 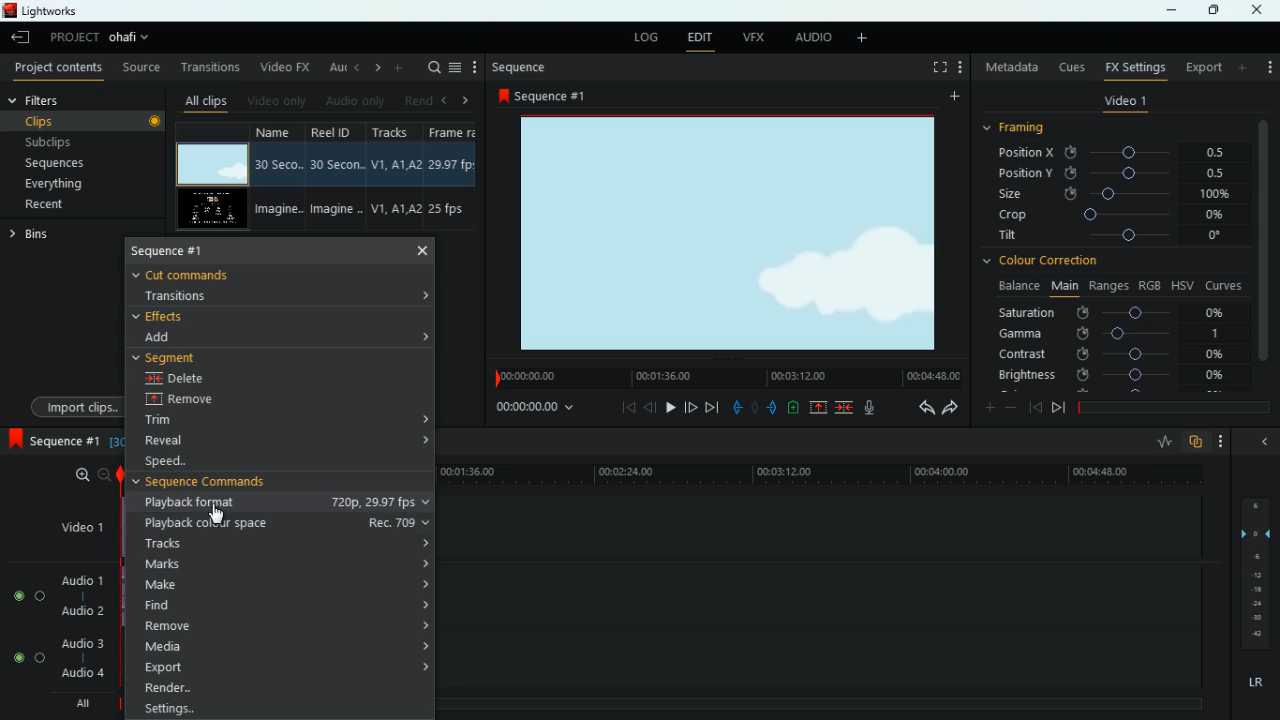 I want to click on up, so click(x=818, y=407).